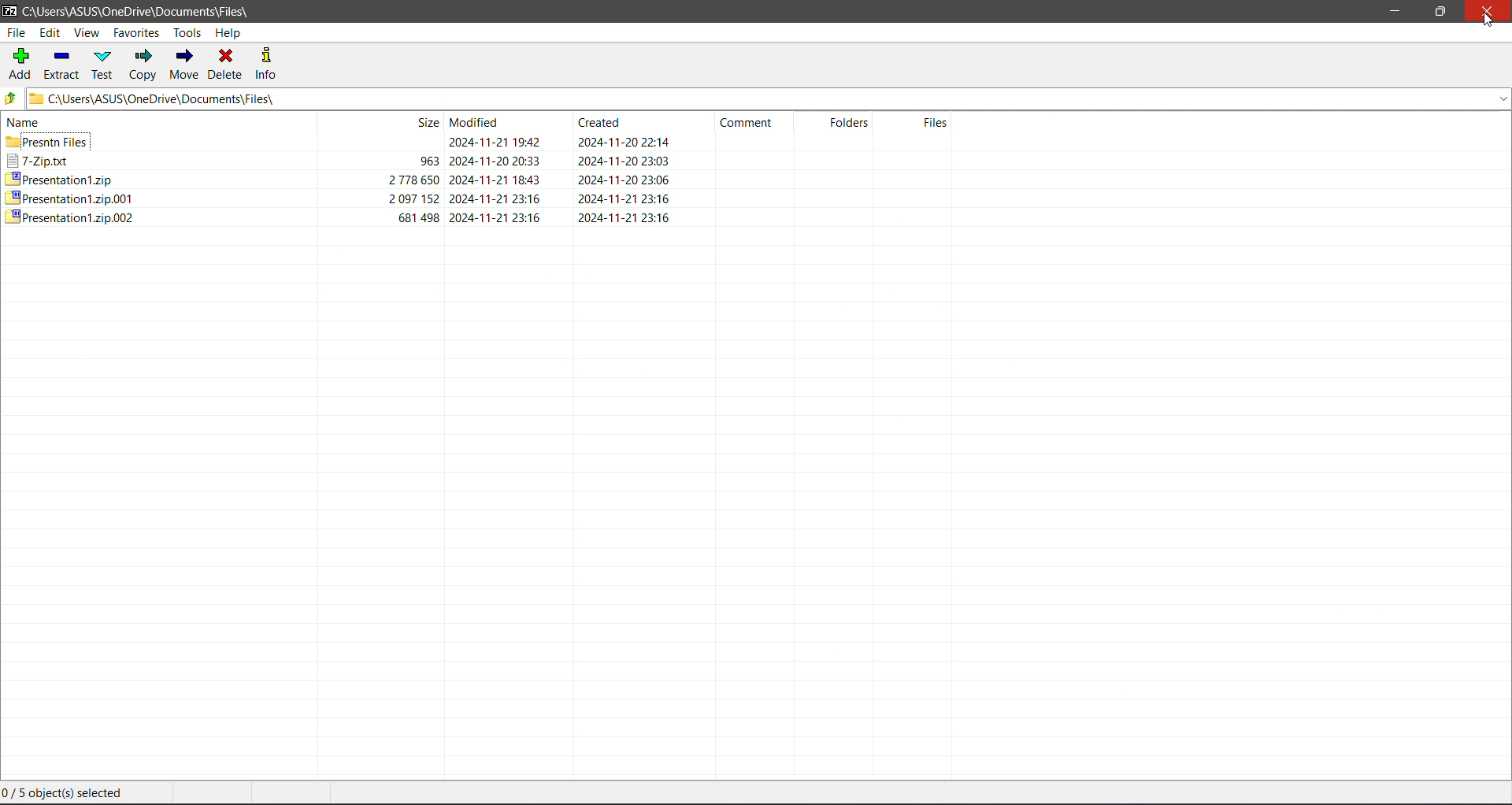  What do you see at coordinates (69, 795) in the screenshot?
I see `Current Selection` at bounding box center [69, 795].